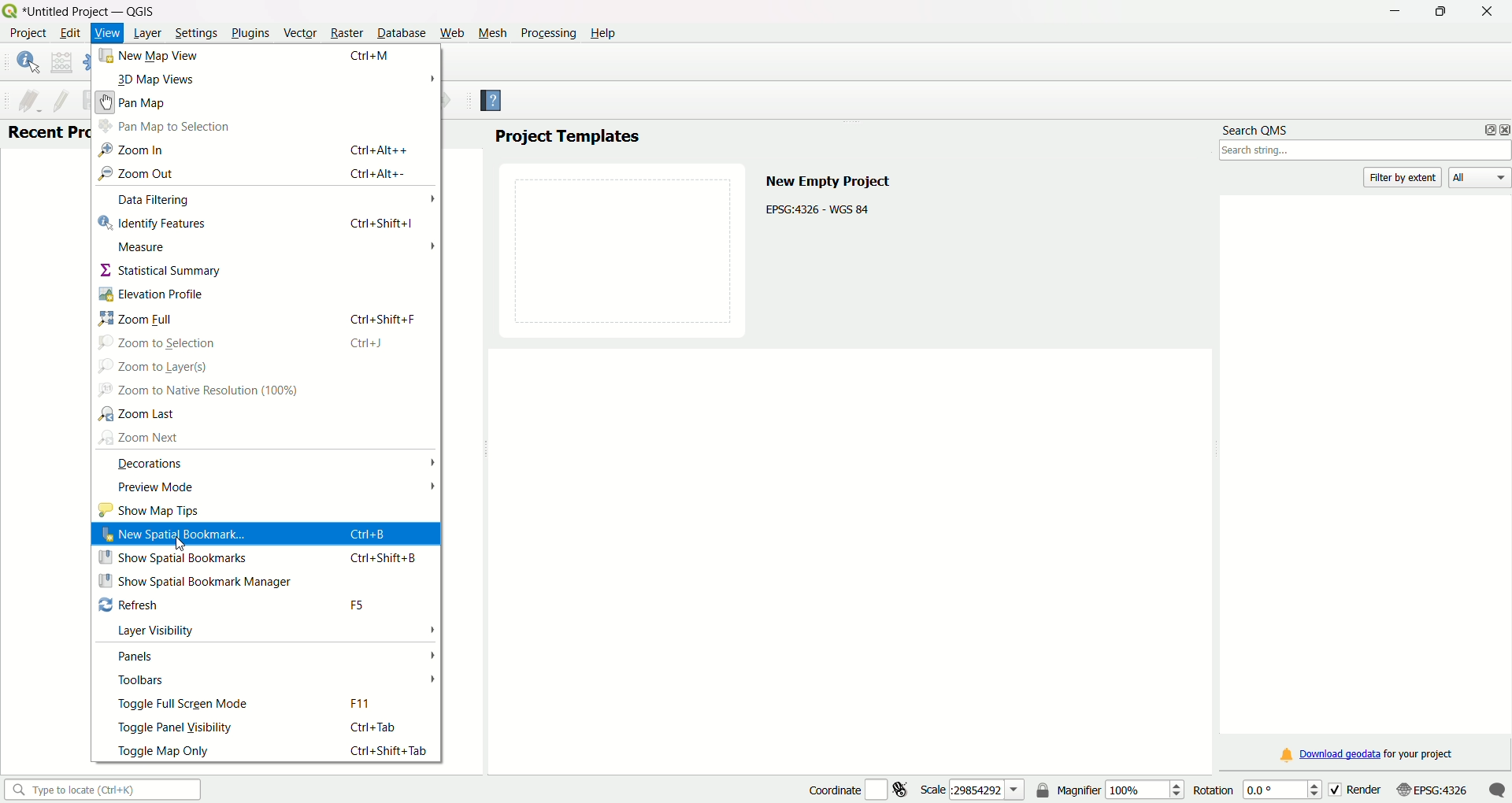  I want to click on search QMS, so click(1258, 127).